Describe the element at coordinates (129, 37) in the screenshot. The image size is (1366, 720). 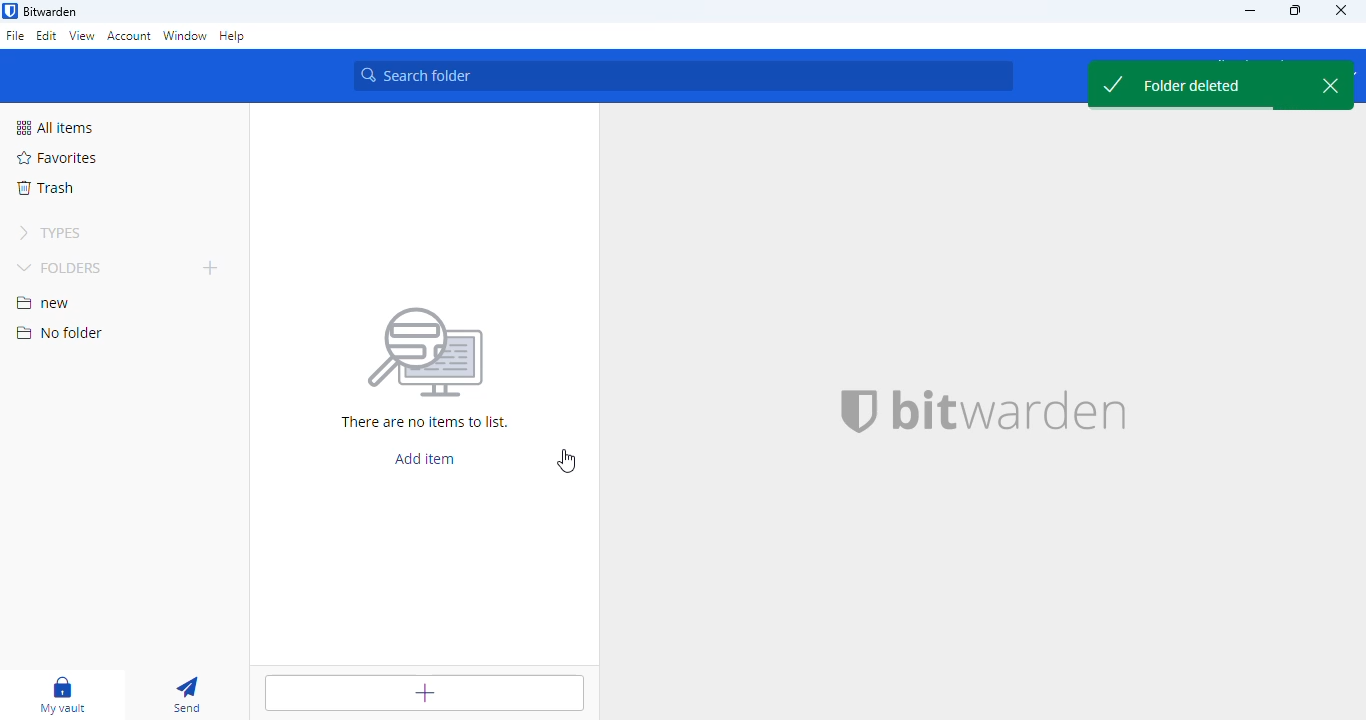
I see `account` at that location.